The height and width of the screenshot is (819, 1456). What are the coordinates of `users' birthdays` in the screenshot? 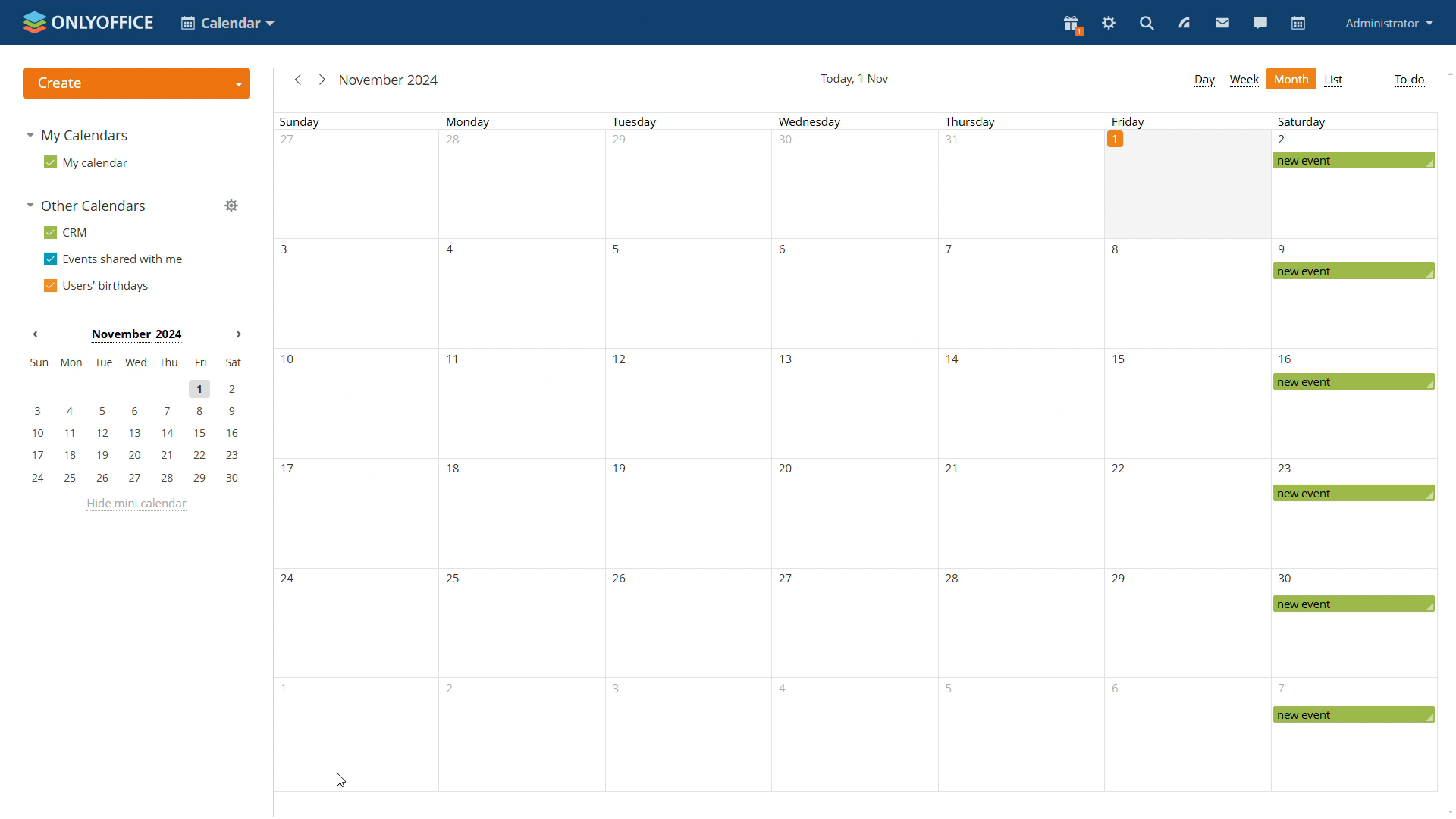 It's located at (96, 284).